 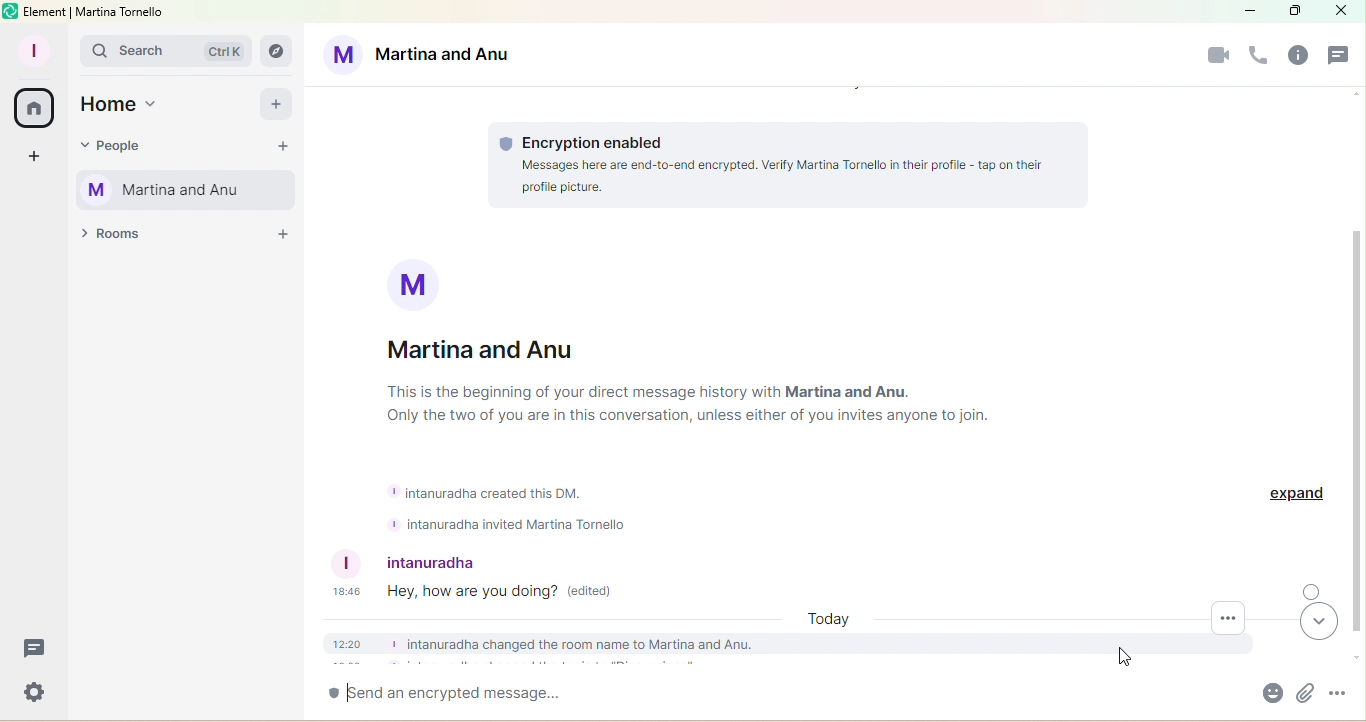 I want to click on element, so click(x=46, y=12).